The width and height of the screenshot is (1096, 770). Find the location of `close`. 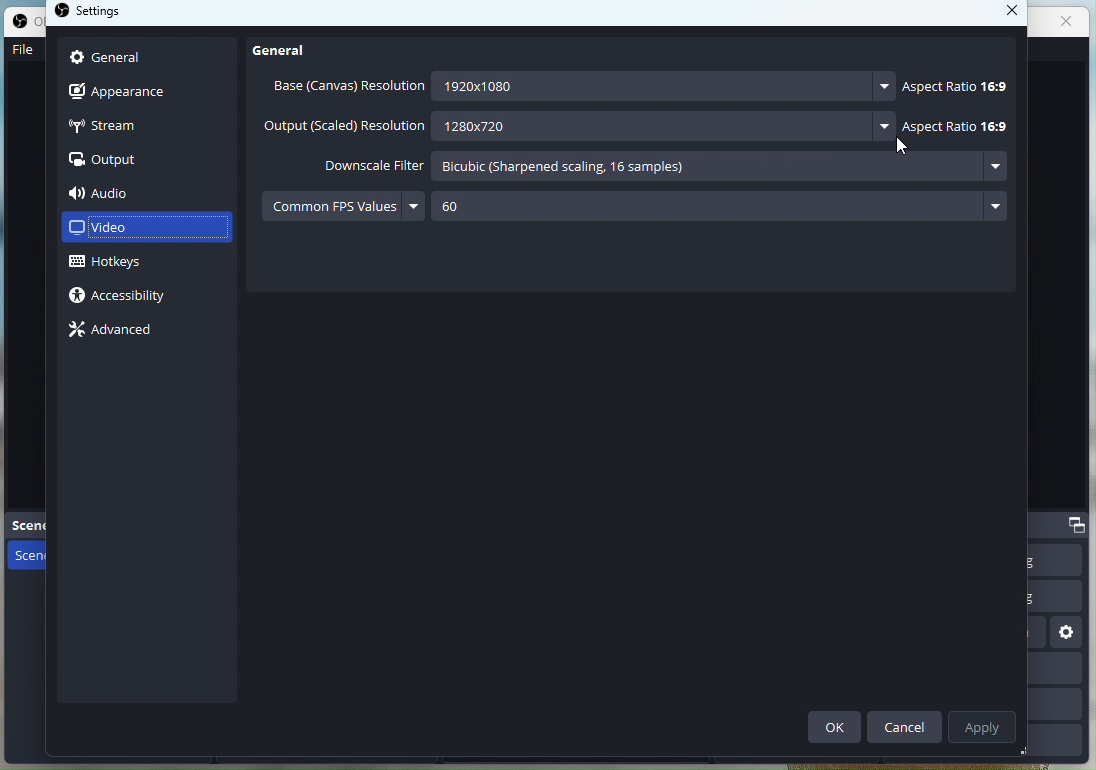

close is located at coordinates (1069, 20).